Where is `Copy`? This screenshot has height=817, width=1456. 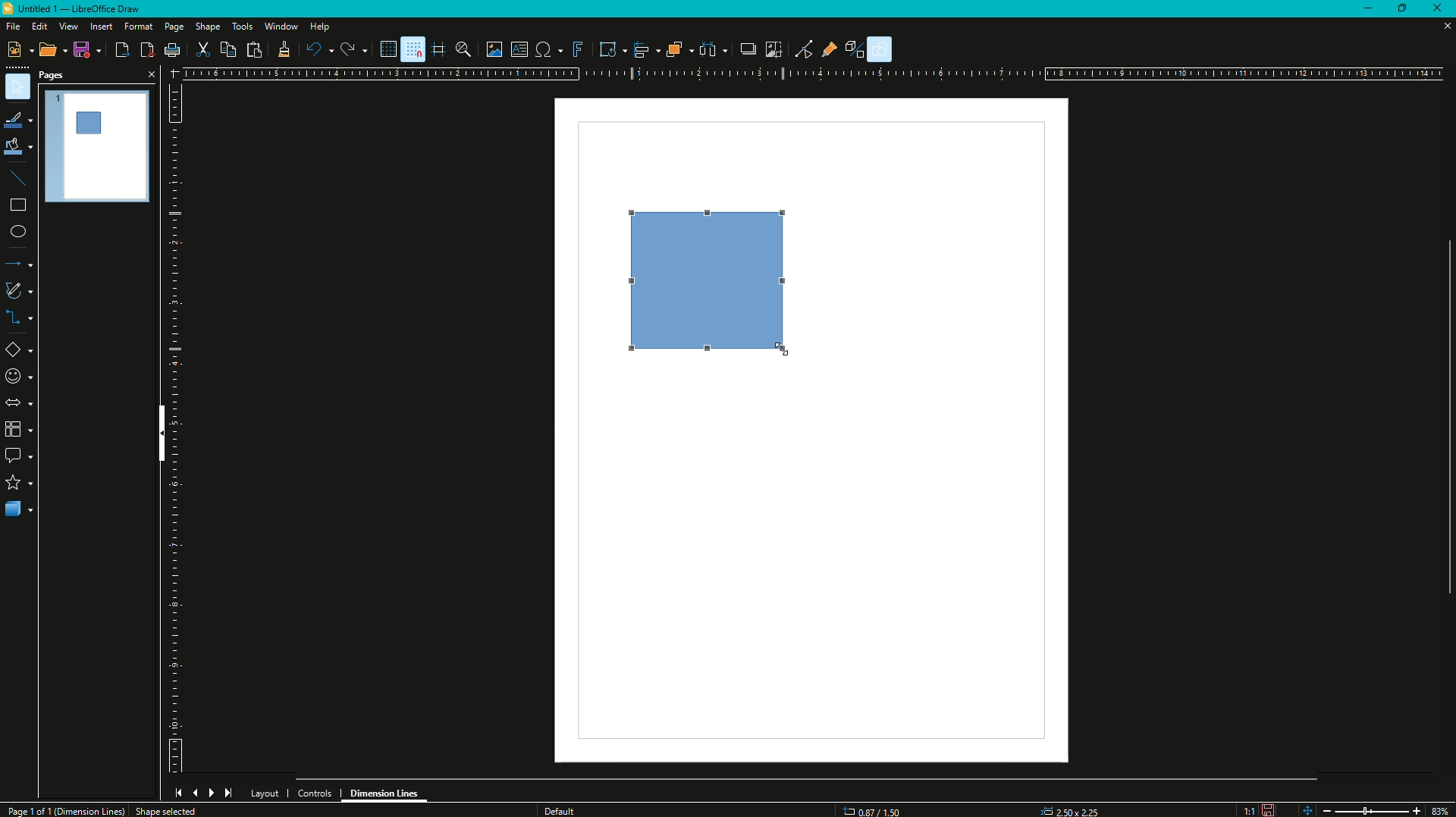 Copy is located at coordinates (226, 50).